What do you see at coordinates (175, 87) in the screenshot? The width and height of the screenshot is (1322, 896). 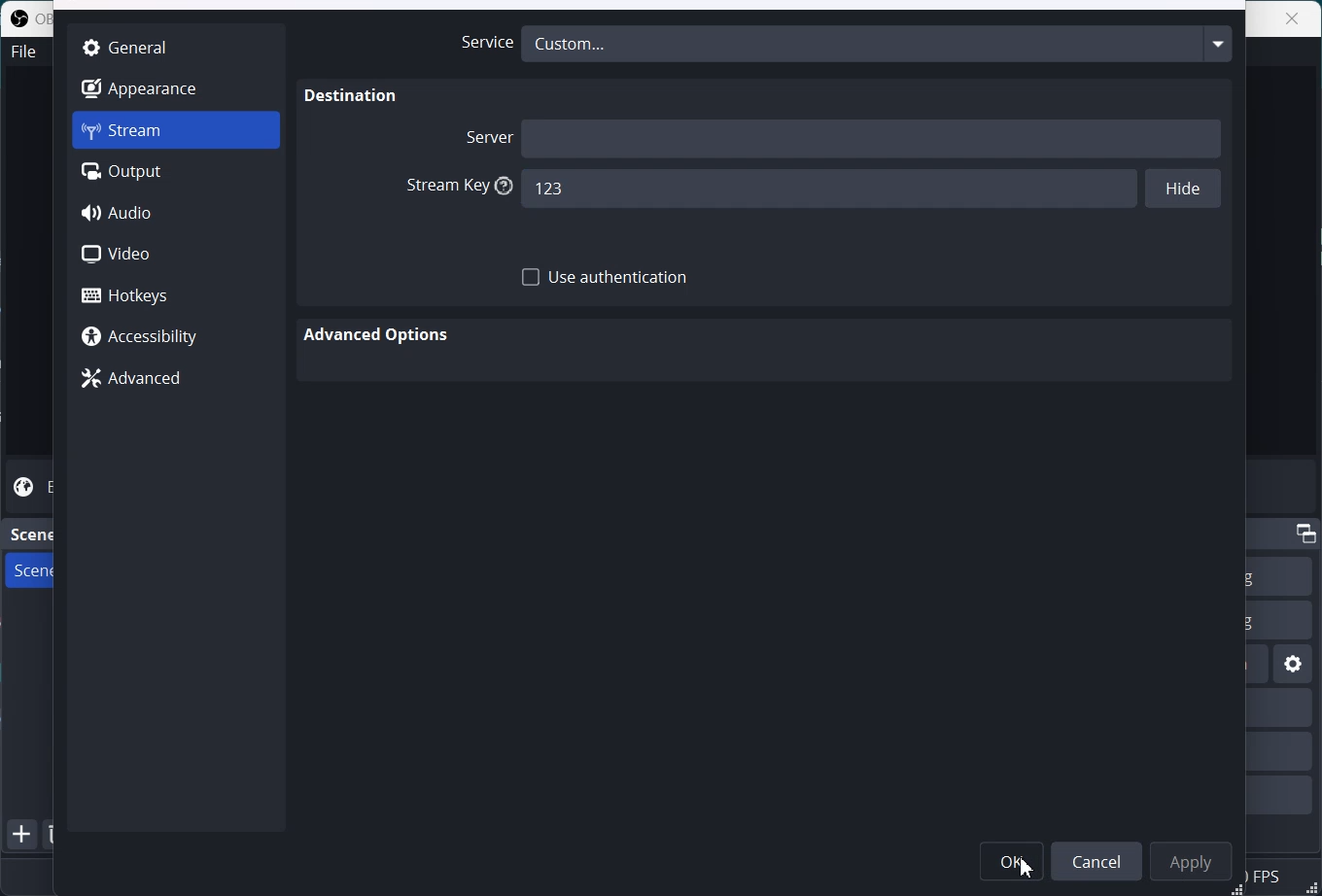 I see `Appearance` at bounding box center [175, 87].